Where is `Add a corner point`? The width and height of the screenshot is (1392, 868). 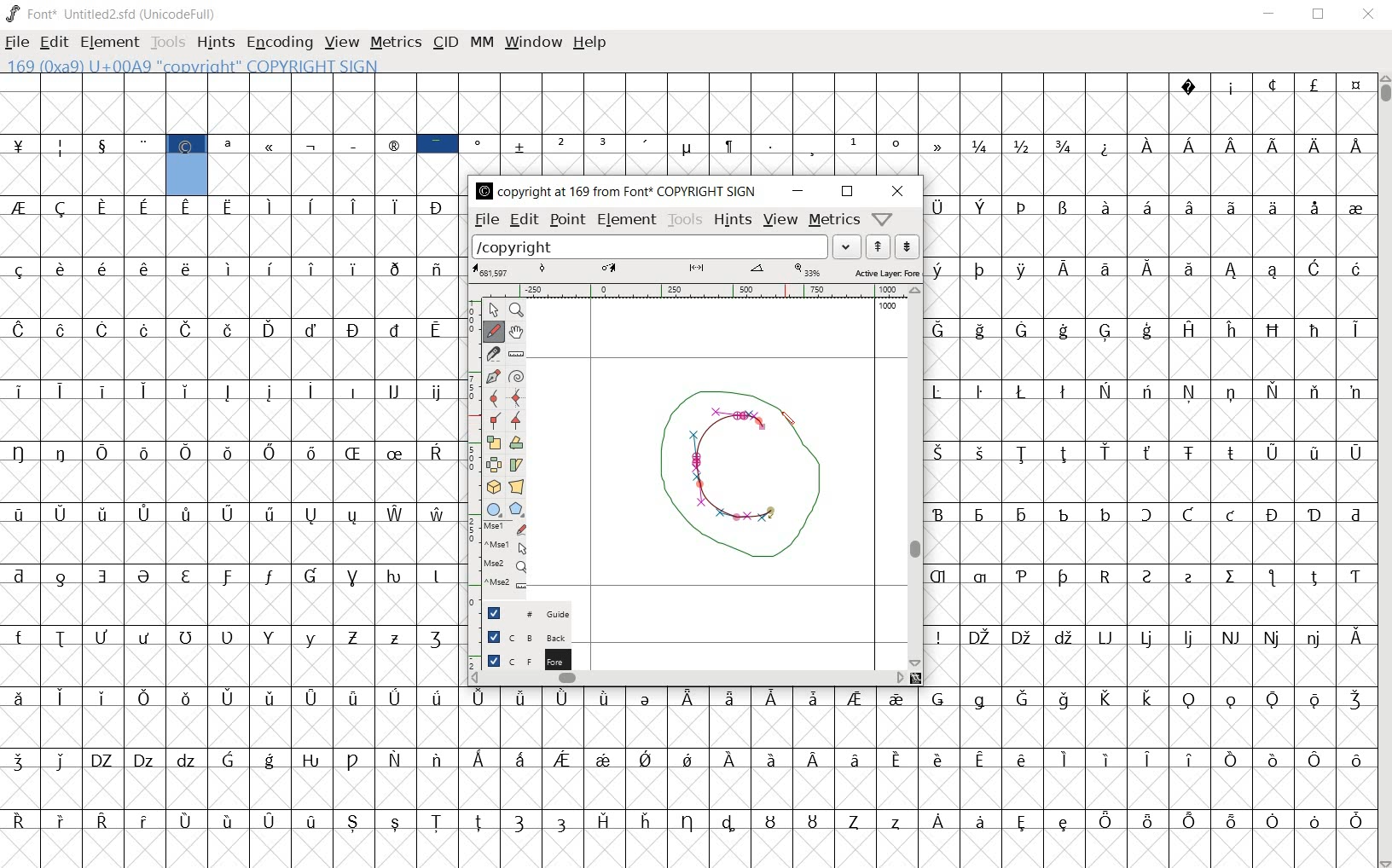
Add a corner point is located at coordinates (497, 420).